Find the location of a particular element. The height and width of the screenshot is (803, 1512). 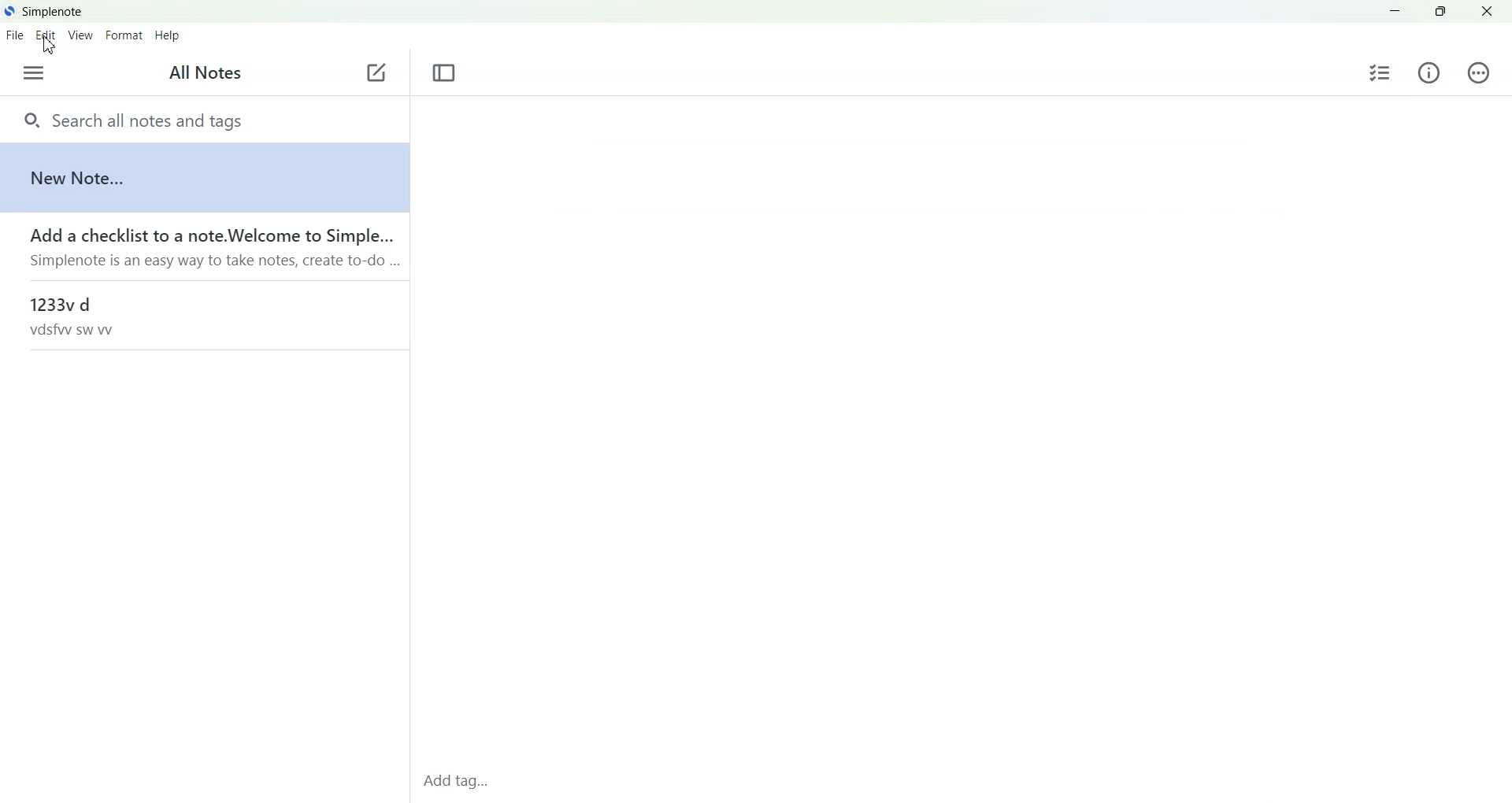

Format is located at coordinates (123, 36).